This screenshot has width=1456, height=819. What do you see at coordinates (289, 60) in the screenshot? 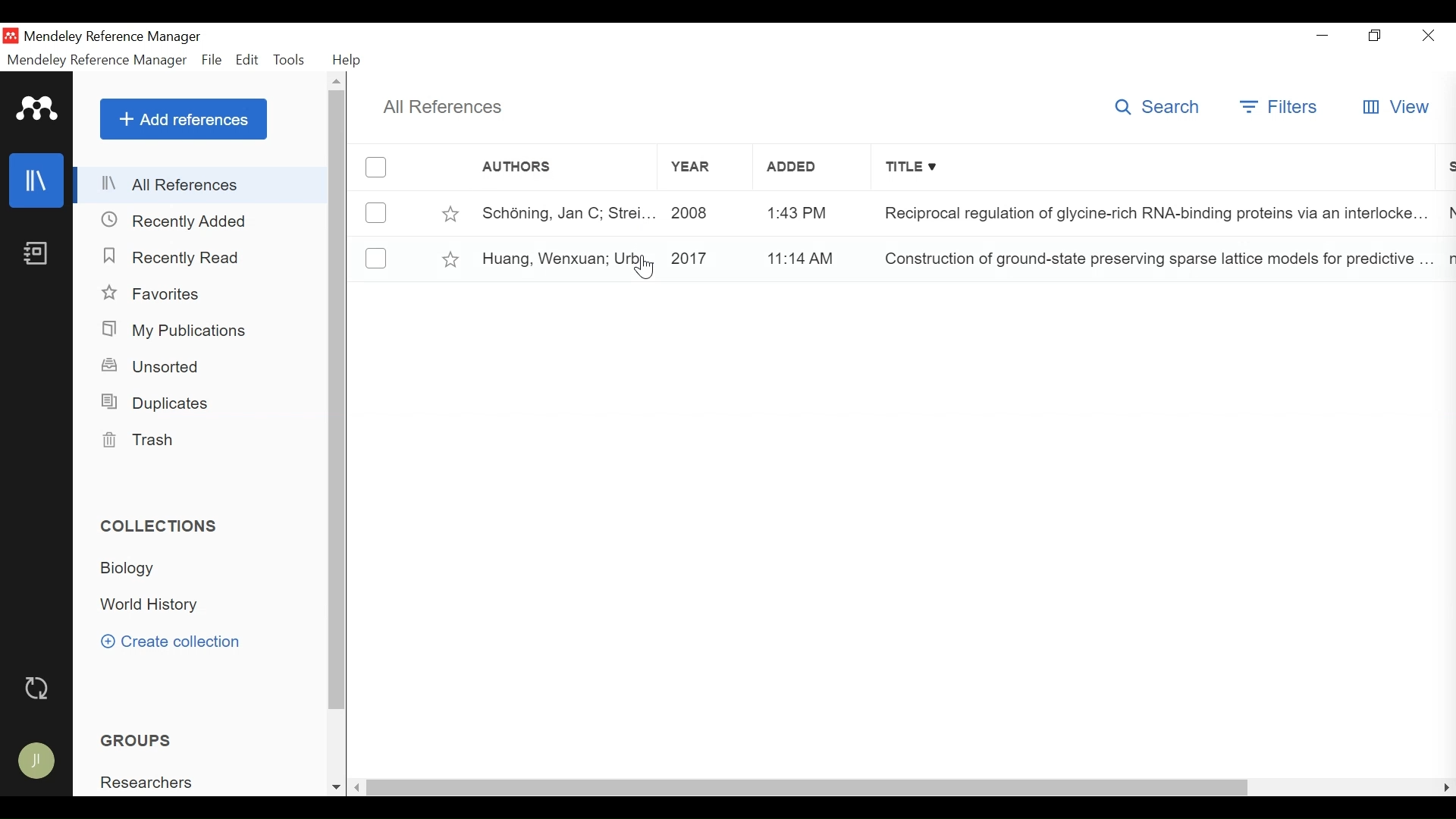
I see `Tools` at bounding box center [289, 60].